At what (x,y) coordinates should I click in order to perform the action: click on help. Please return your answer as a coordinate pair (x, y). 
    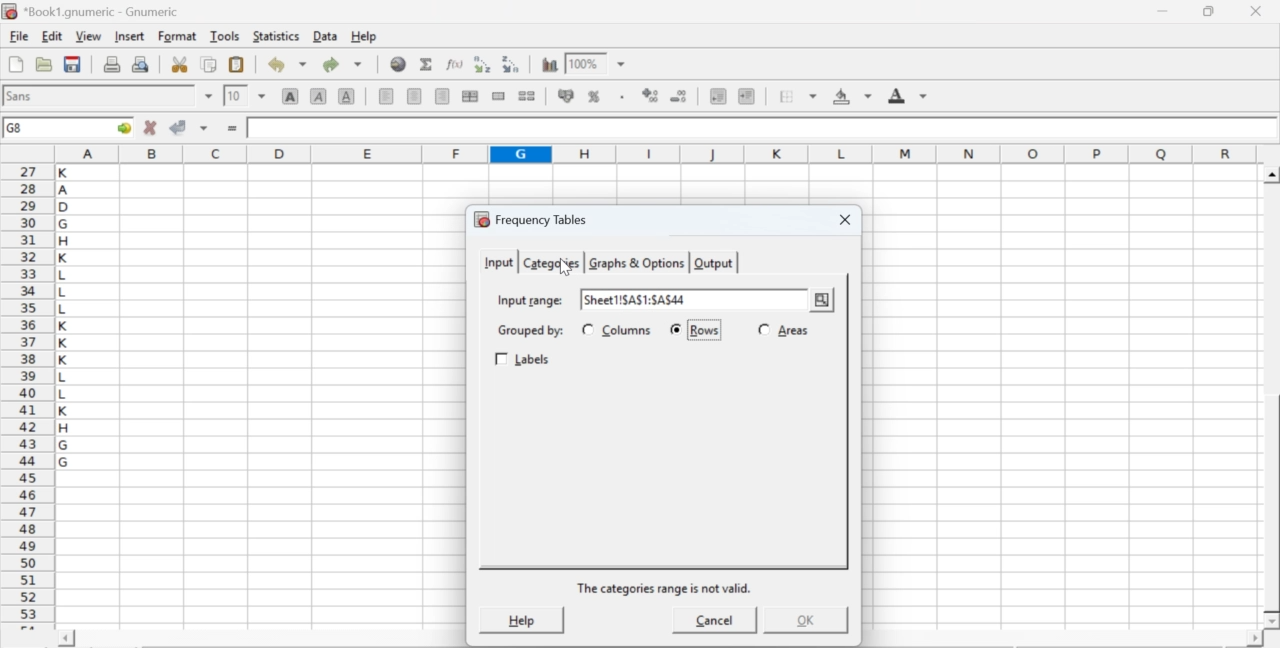
    Looking at the image, I should click on (520, 619).